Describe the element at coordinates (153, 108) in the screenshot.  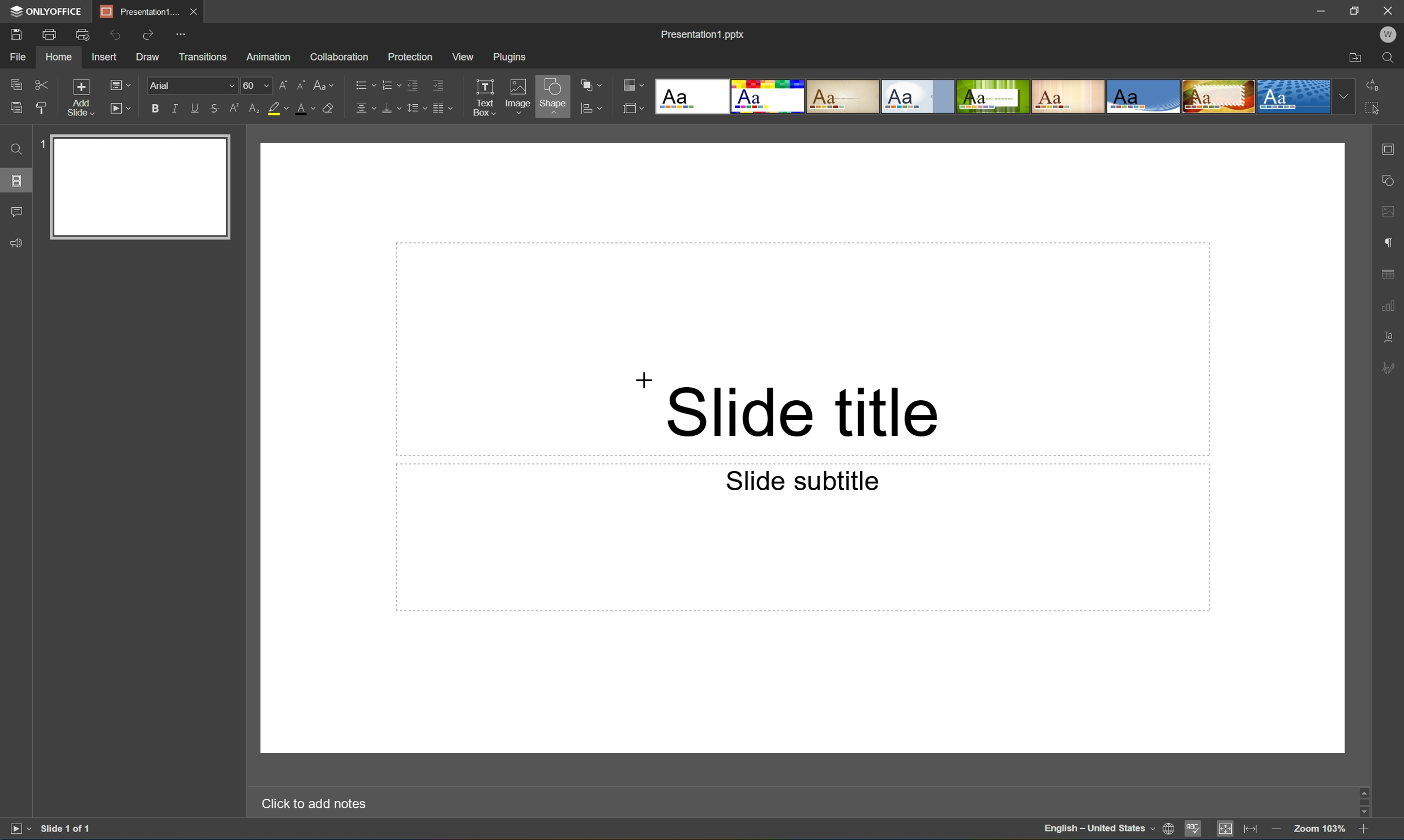
I see `Bold` at that location.